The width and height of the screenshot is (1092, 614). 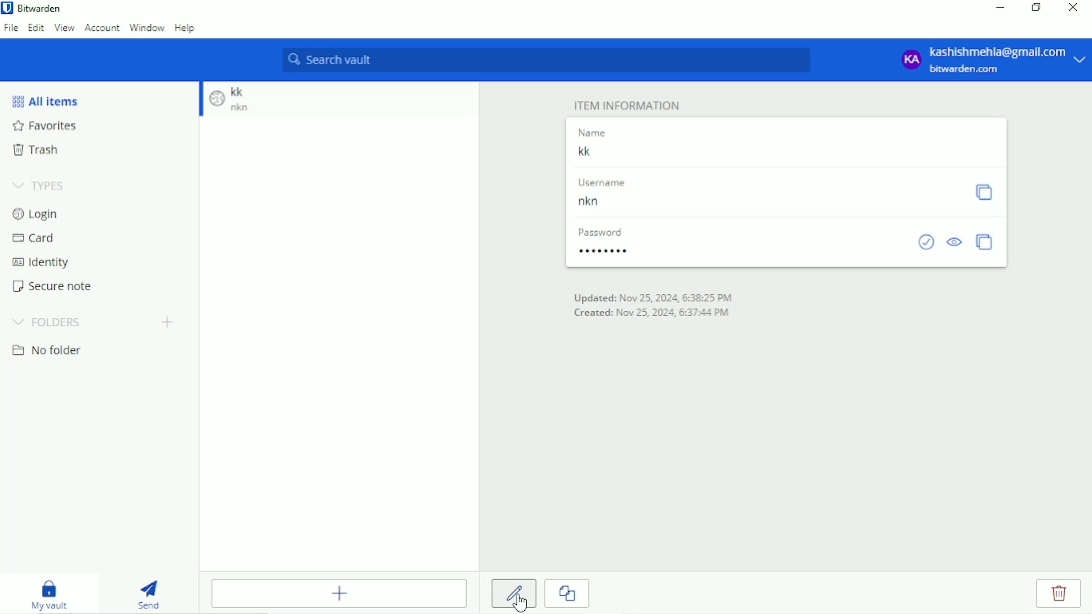 I want to click on entry Name, so click(x=596, y=153).